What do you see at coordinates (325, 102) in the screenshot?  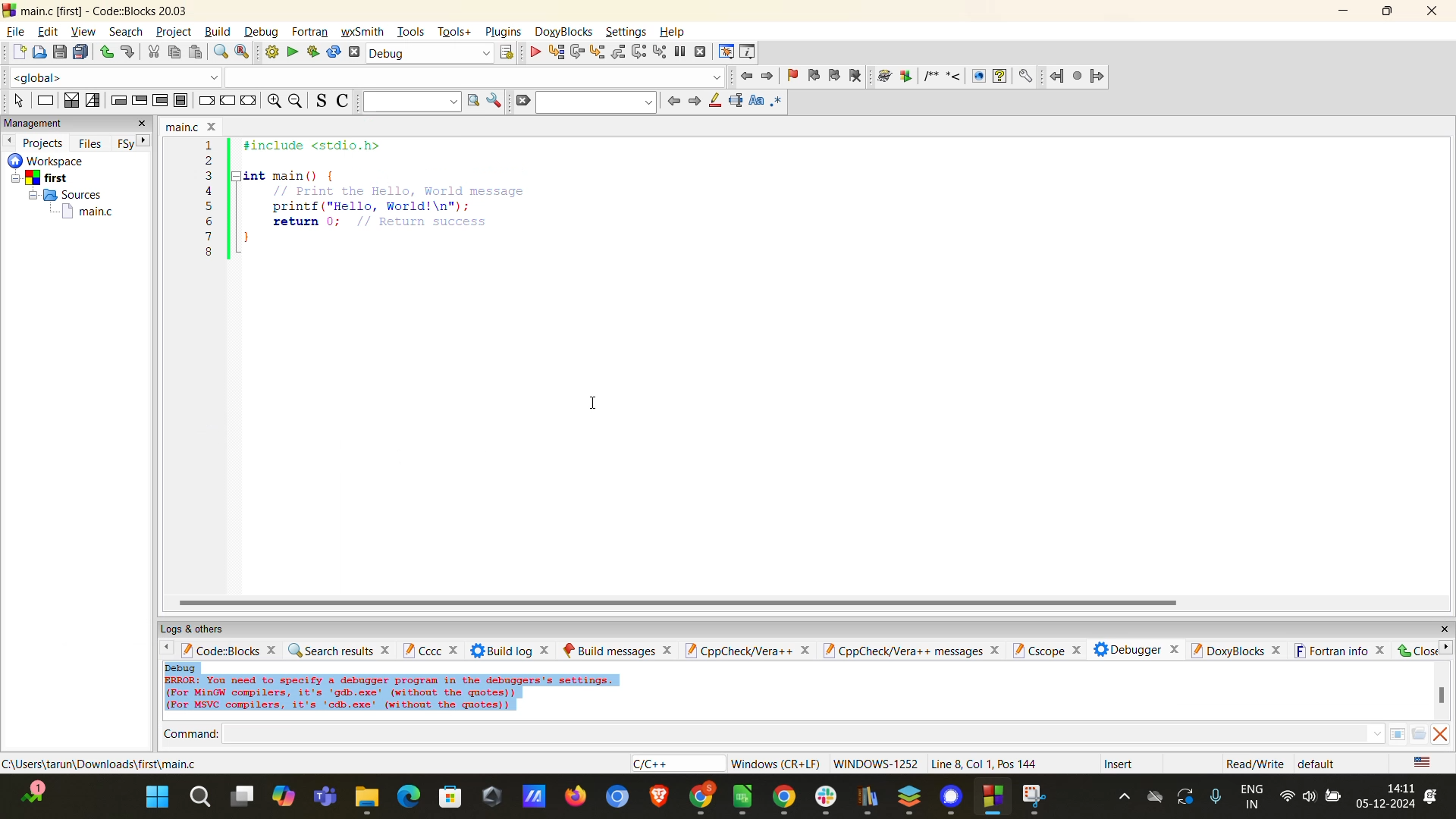 I see `toggle source` at bounding box center [325, 102].